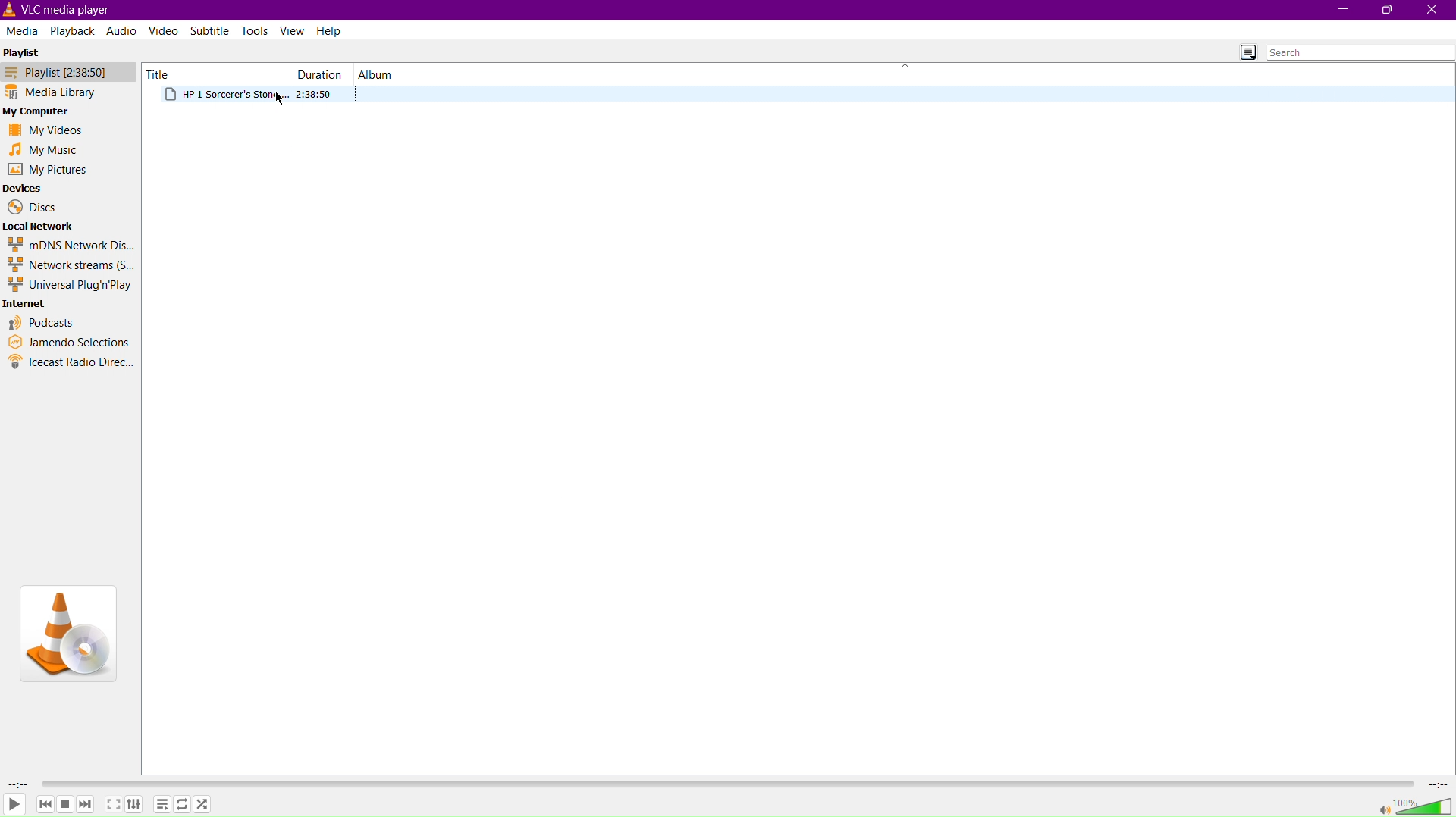 The image size is (1456, 817). Describe the element at coordinates (1341, 10) in the screenshot. I see `Minimize` at that location.